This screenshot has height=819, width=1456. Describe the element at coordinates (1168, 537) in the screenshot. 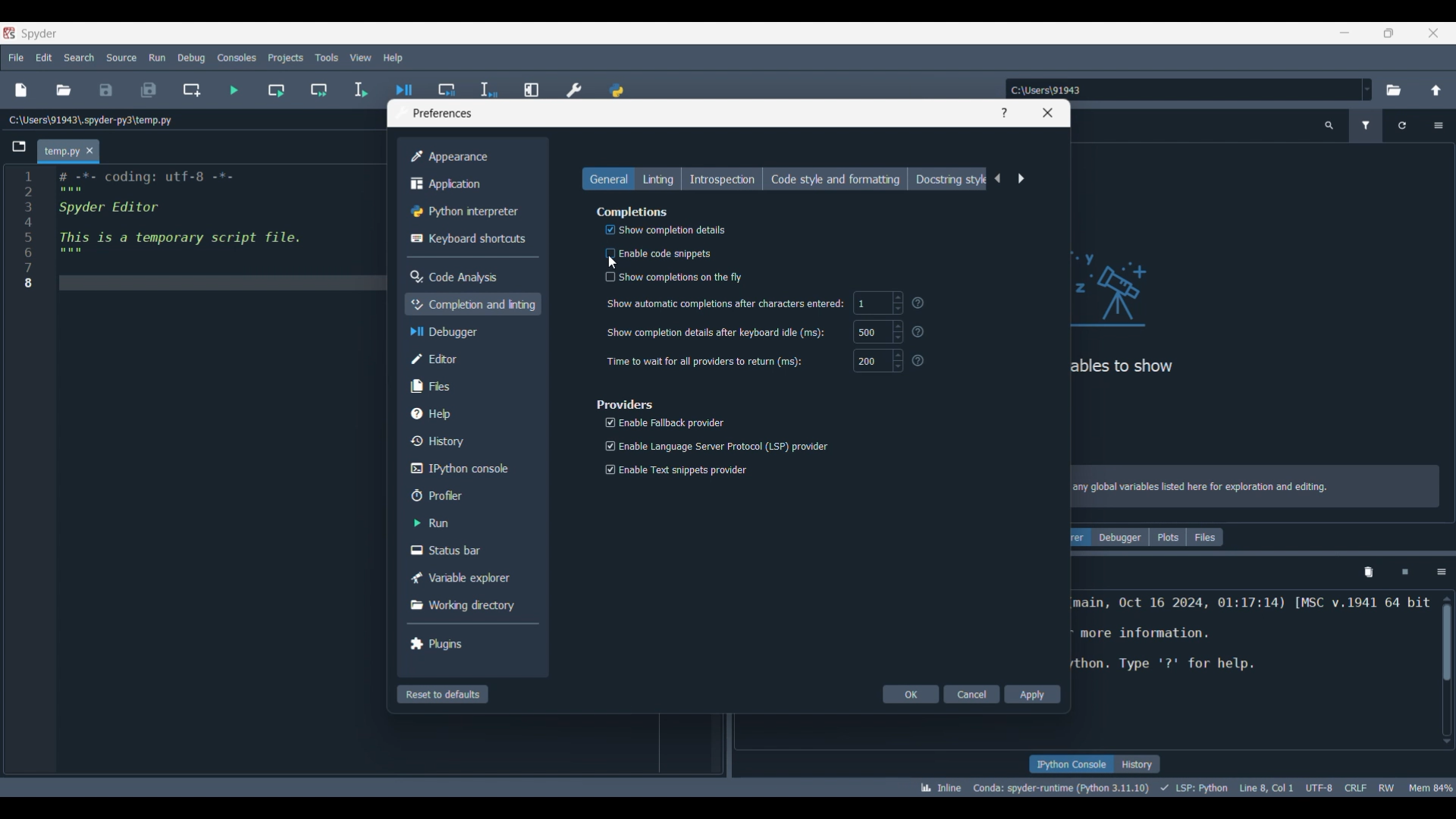

I see `Plots` at that location.